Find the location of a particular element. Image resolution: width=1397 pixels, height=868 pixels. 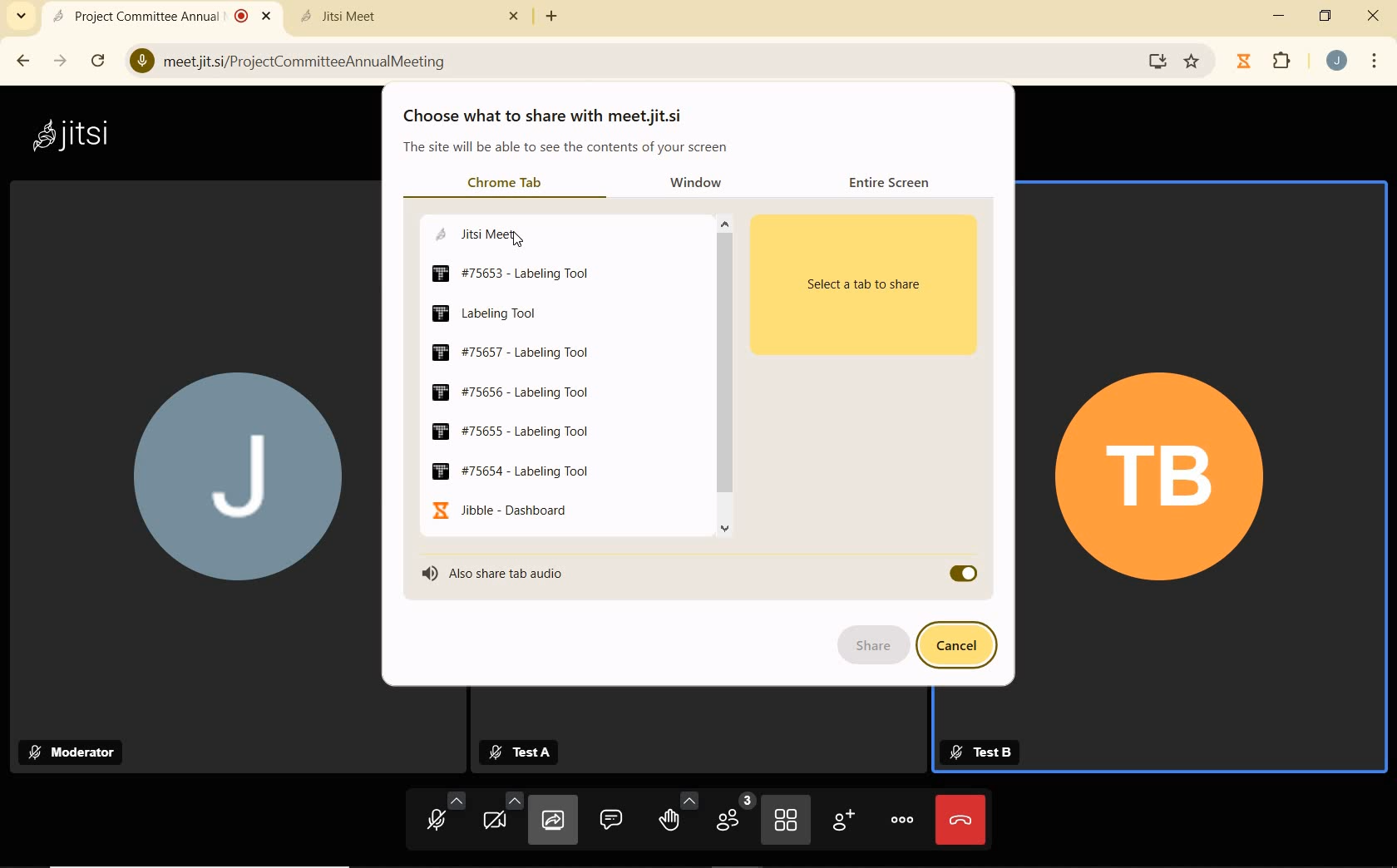

meetjitsi/ProjectCommitteeAnnualMeeting is located at coordinates (297, 59).